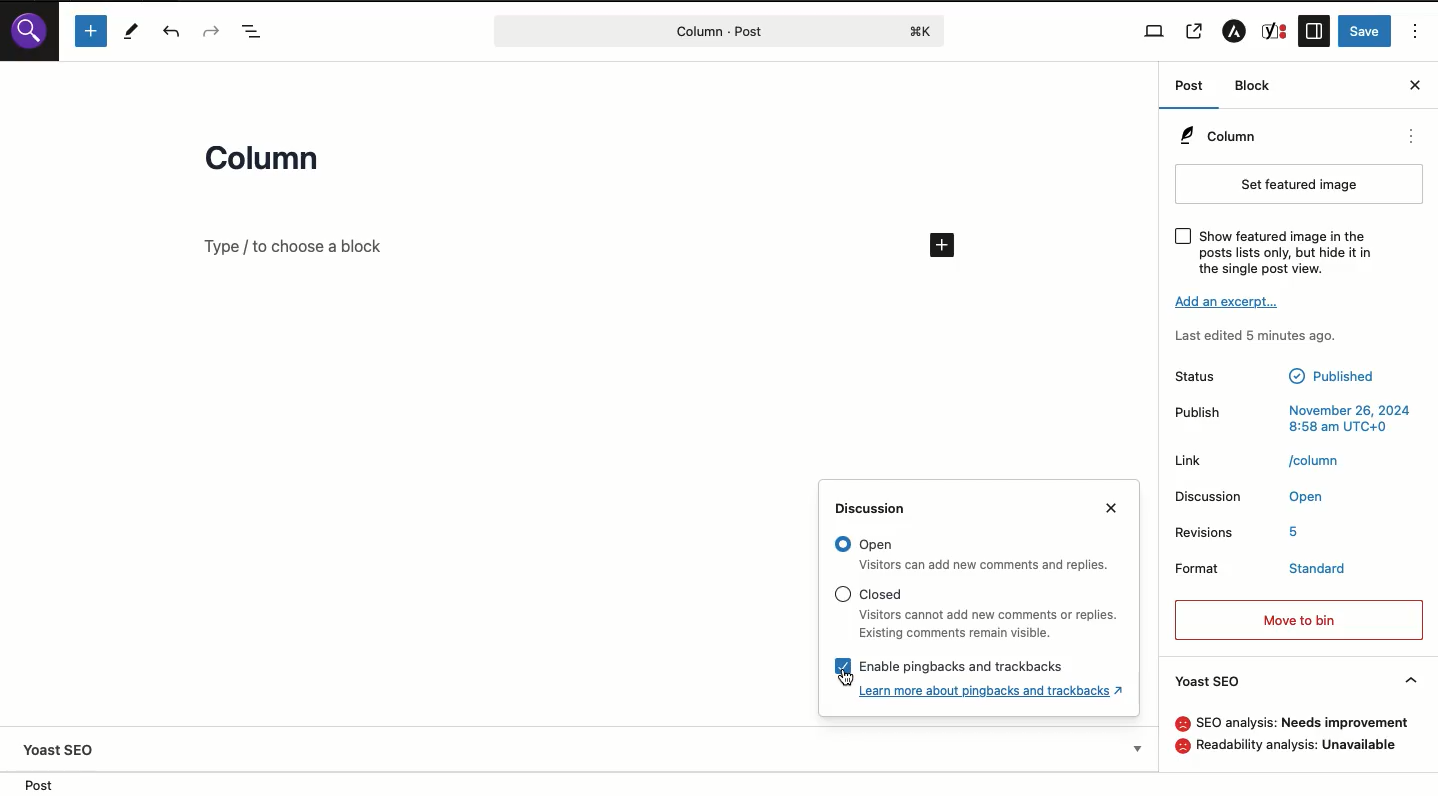 Image resolution: width=1438 pixels, height=796 pixels. I want to click on text, so click(1330, 375).